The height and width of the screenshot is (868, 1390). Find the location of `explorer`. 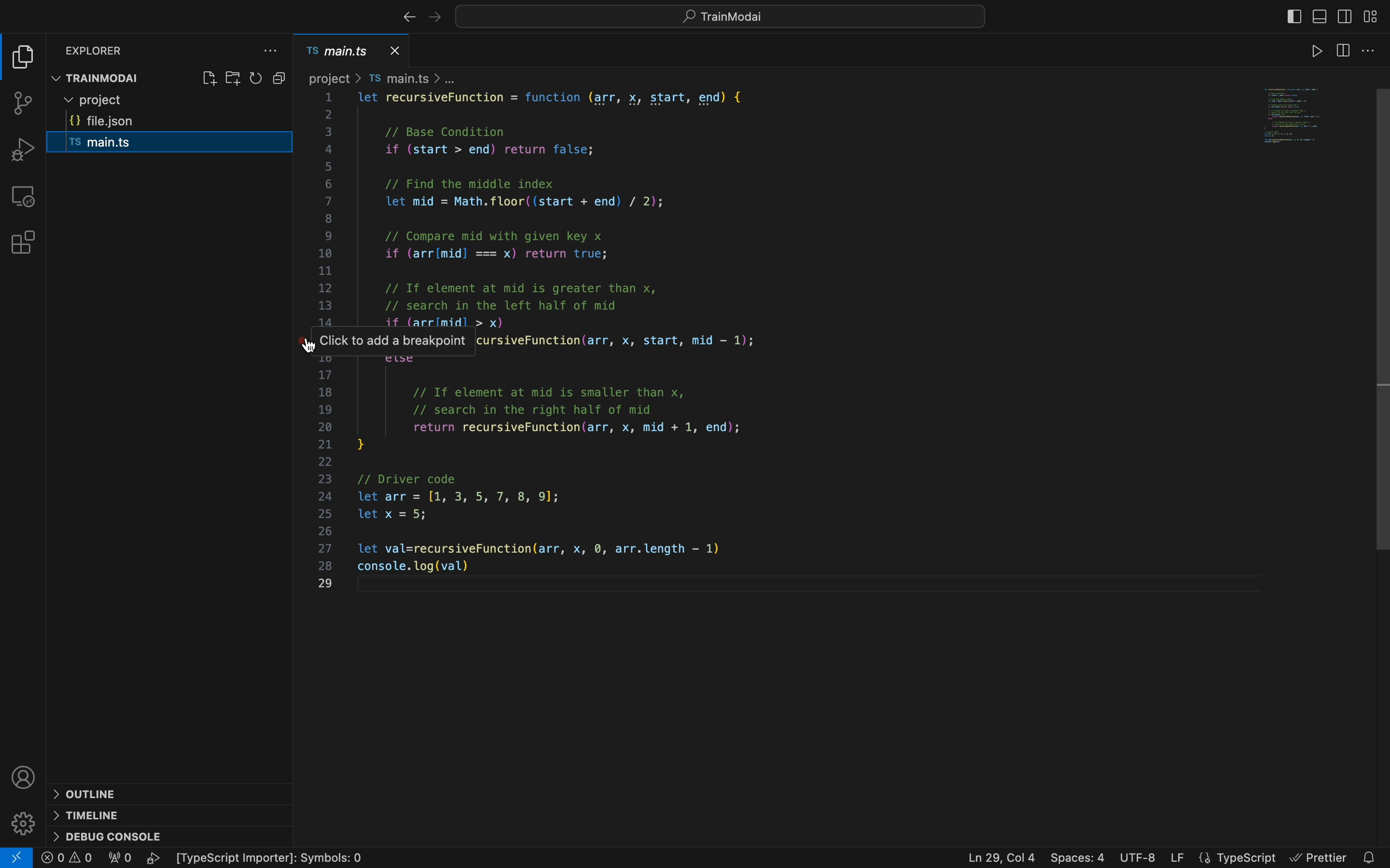

explorer is located at coordinates (101, 53).